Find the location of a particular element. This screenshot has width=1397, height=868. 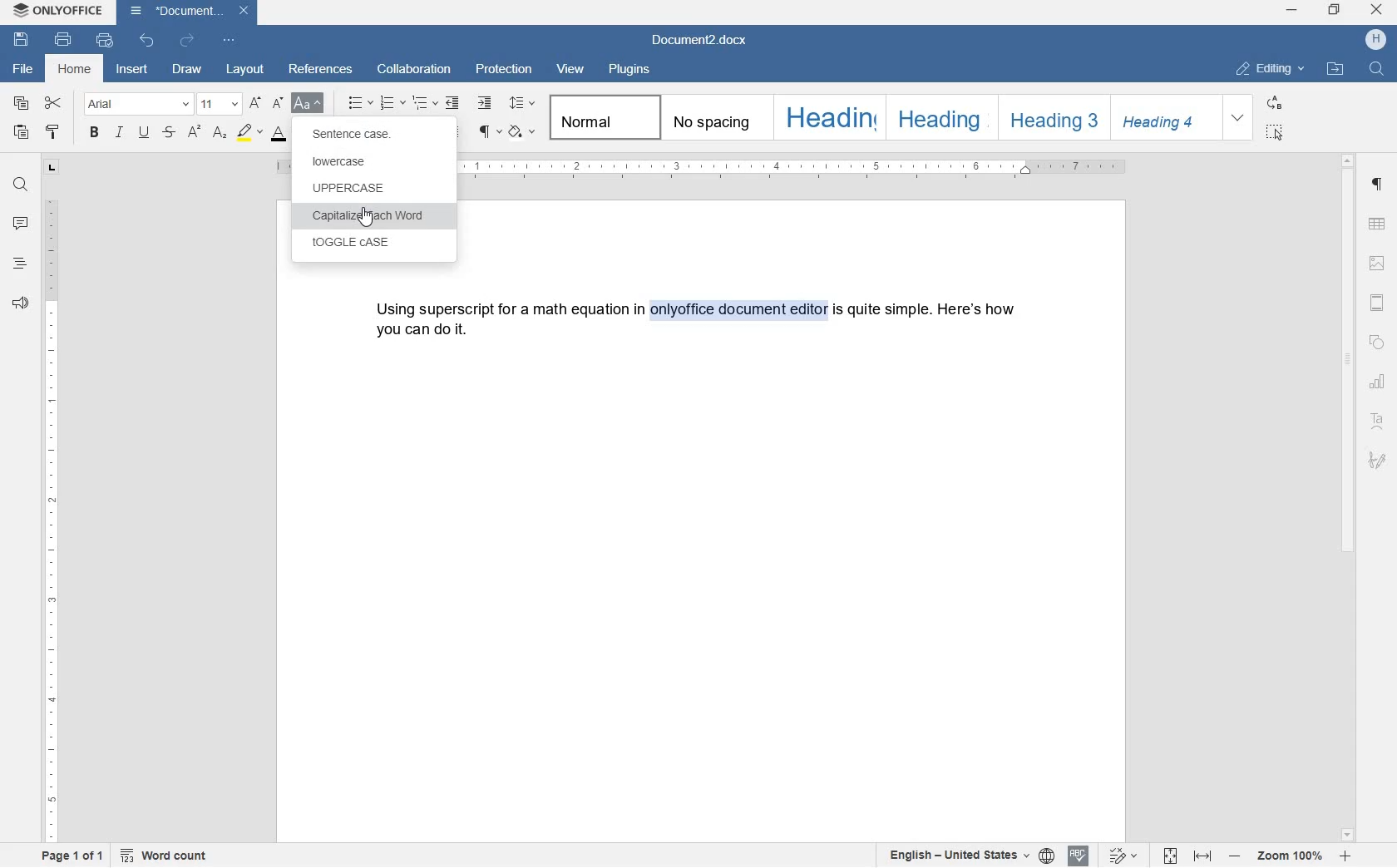

word count is located at coordinates (168, 856).